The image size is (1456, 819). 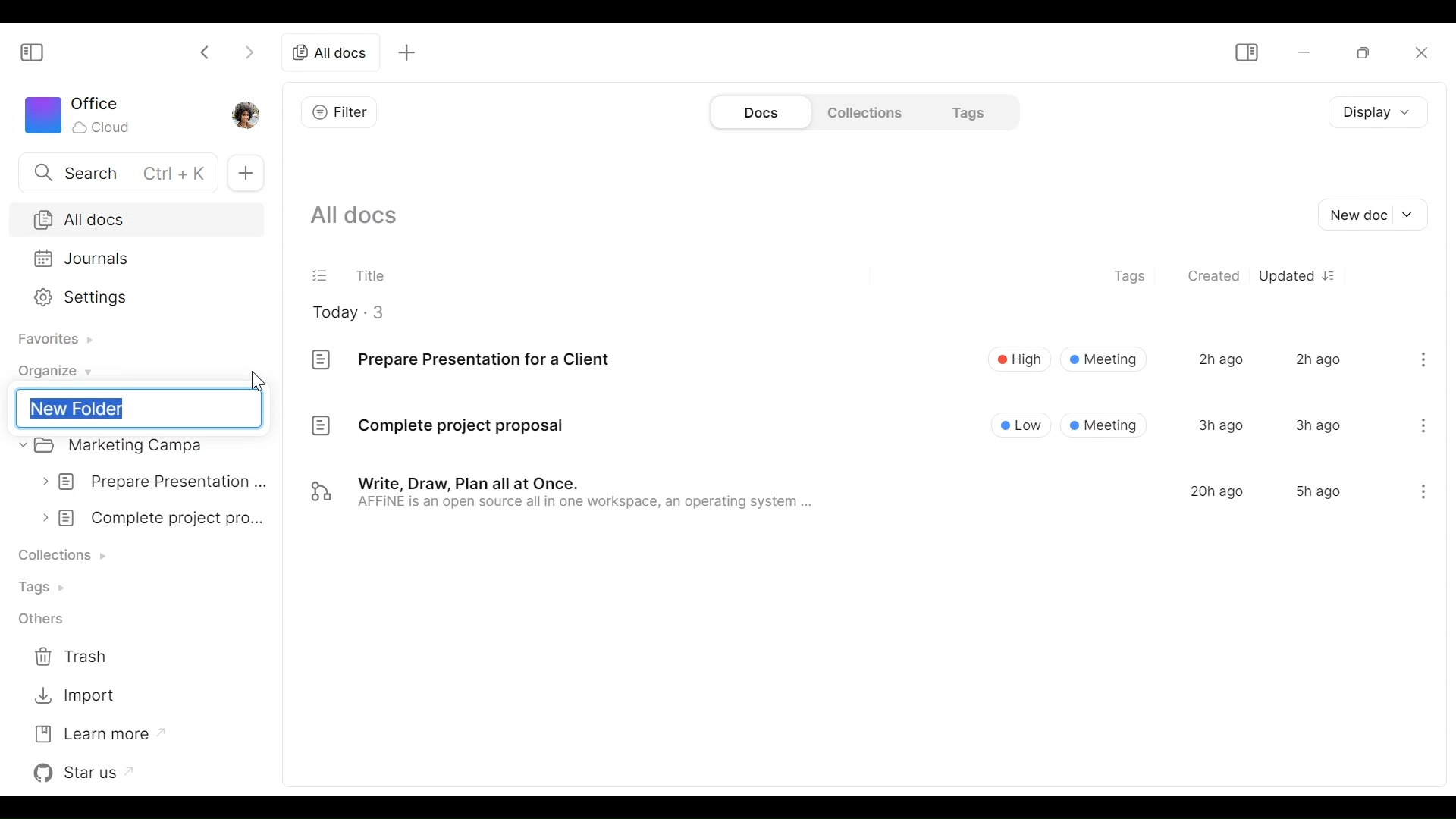 I want to click on  Prepare Presentation for a Client, so click(x=466, y=359).